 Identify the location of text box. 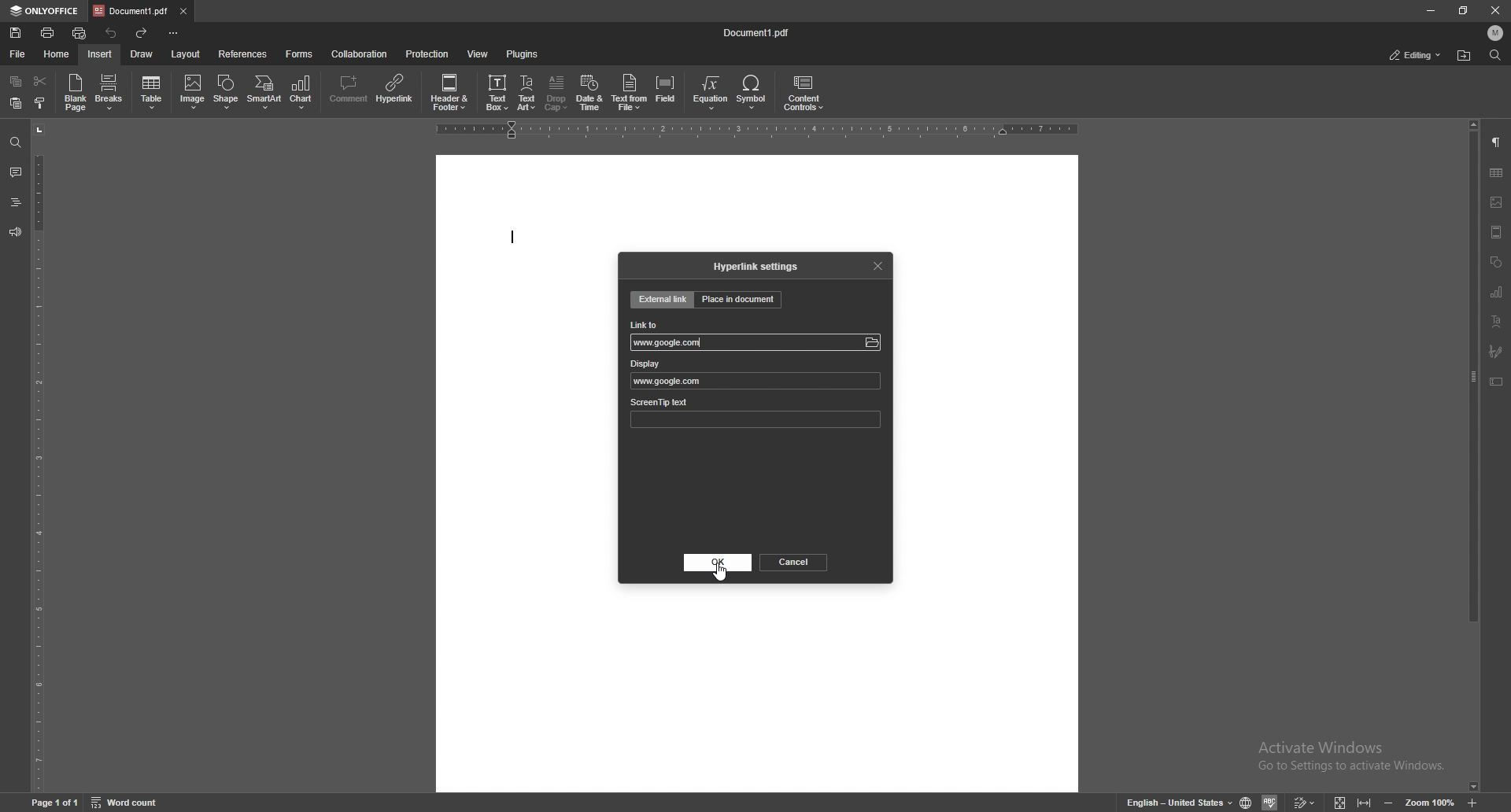
(497, 94).